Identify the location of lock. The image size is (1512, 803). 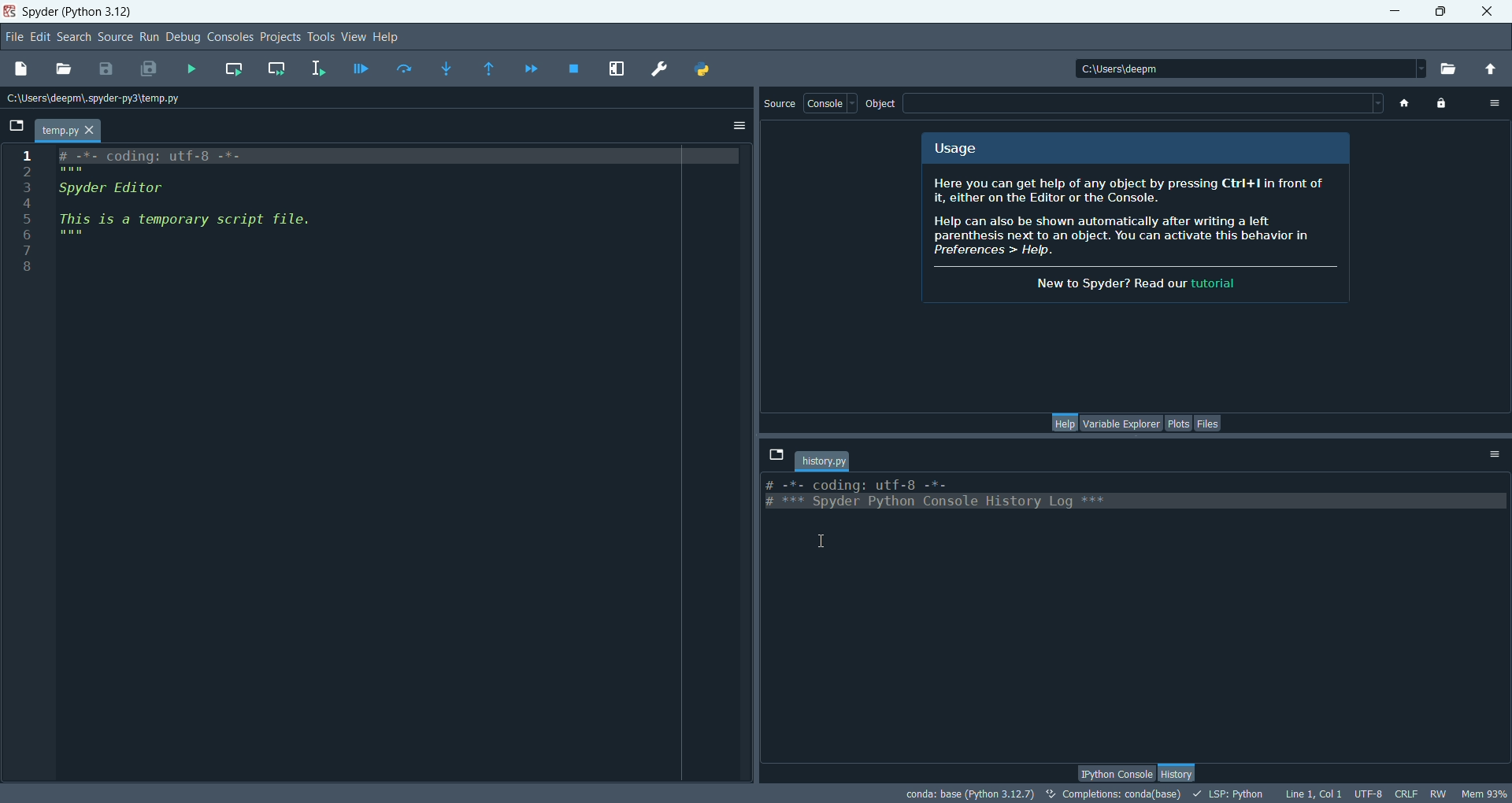
(1442, 105).